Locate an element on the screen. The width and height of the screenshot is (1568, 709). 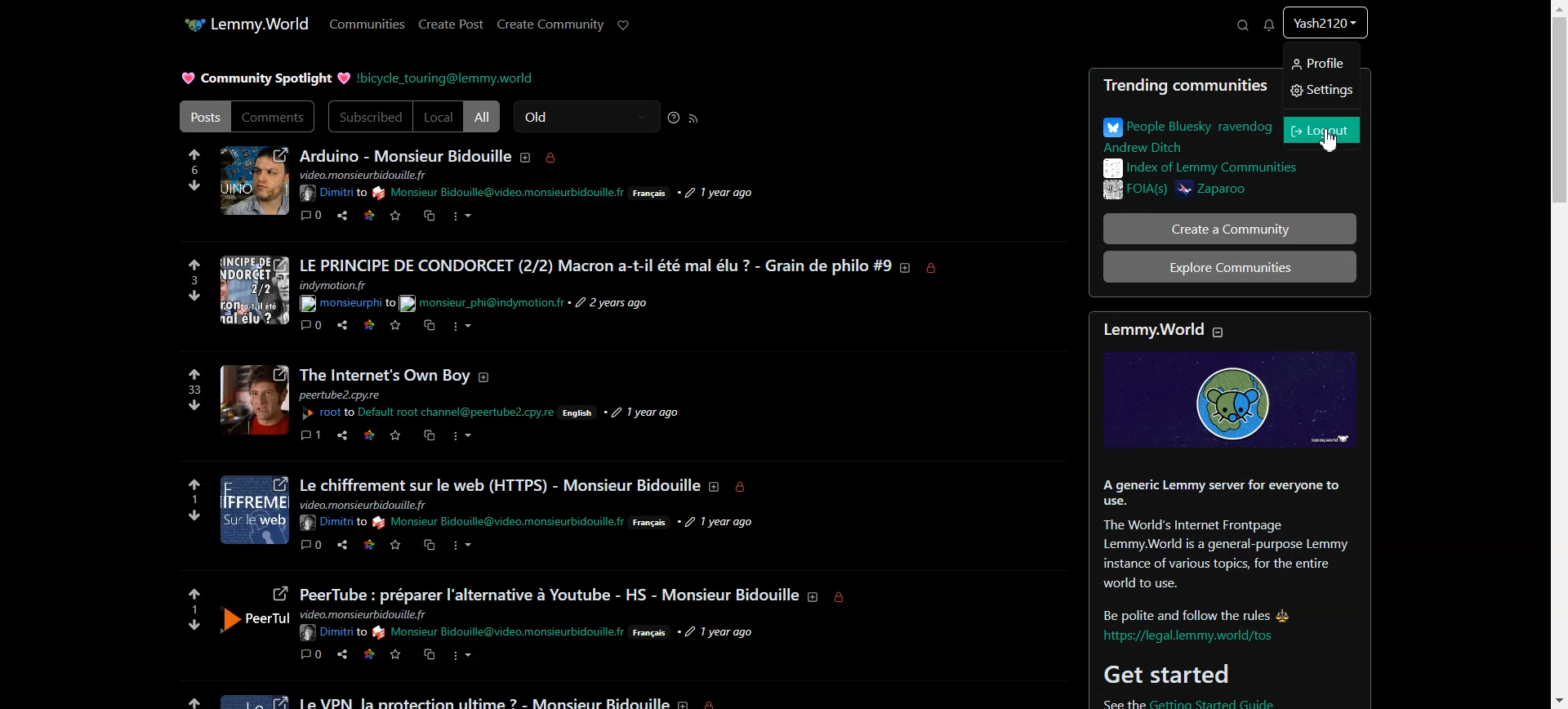
Hyperlink is located at coordinates (333, 192).